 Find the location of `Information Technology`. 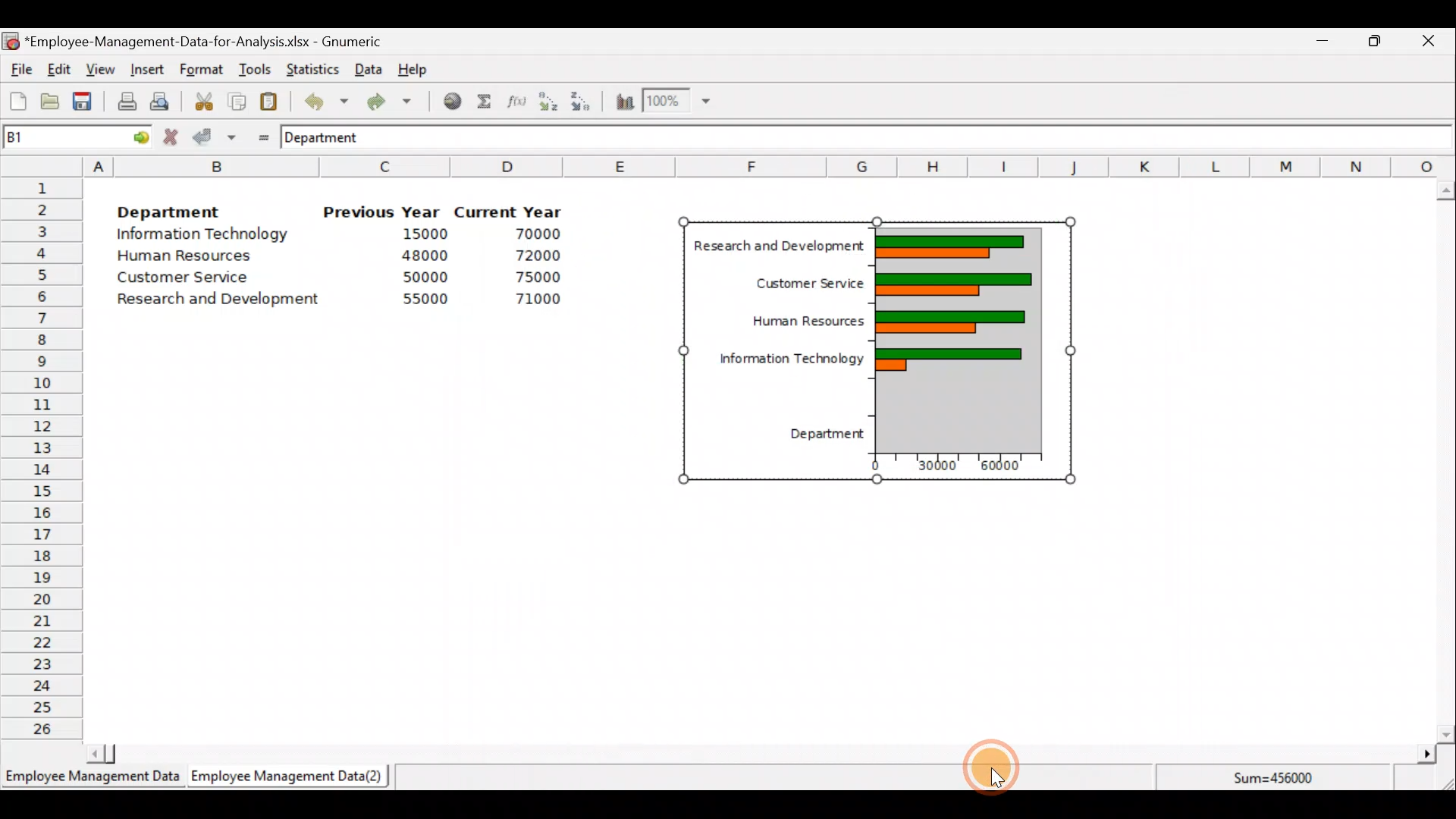

Information Technology is located at coordinates (205, 234).